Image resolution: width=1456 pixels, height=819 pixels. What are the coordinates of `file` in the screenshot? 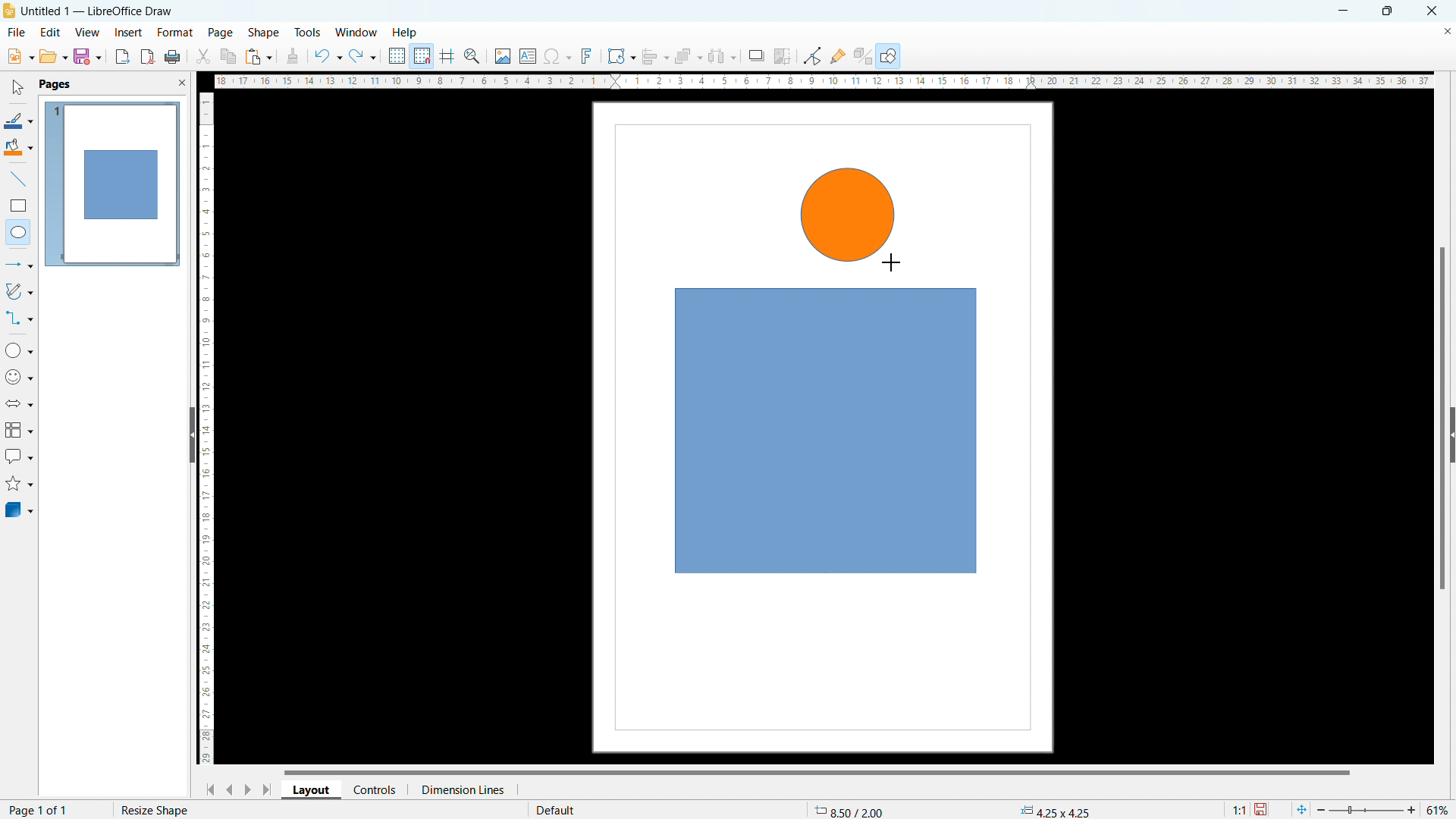 It's located at (15, 33).